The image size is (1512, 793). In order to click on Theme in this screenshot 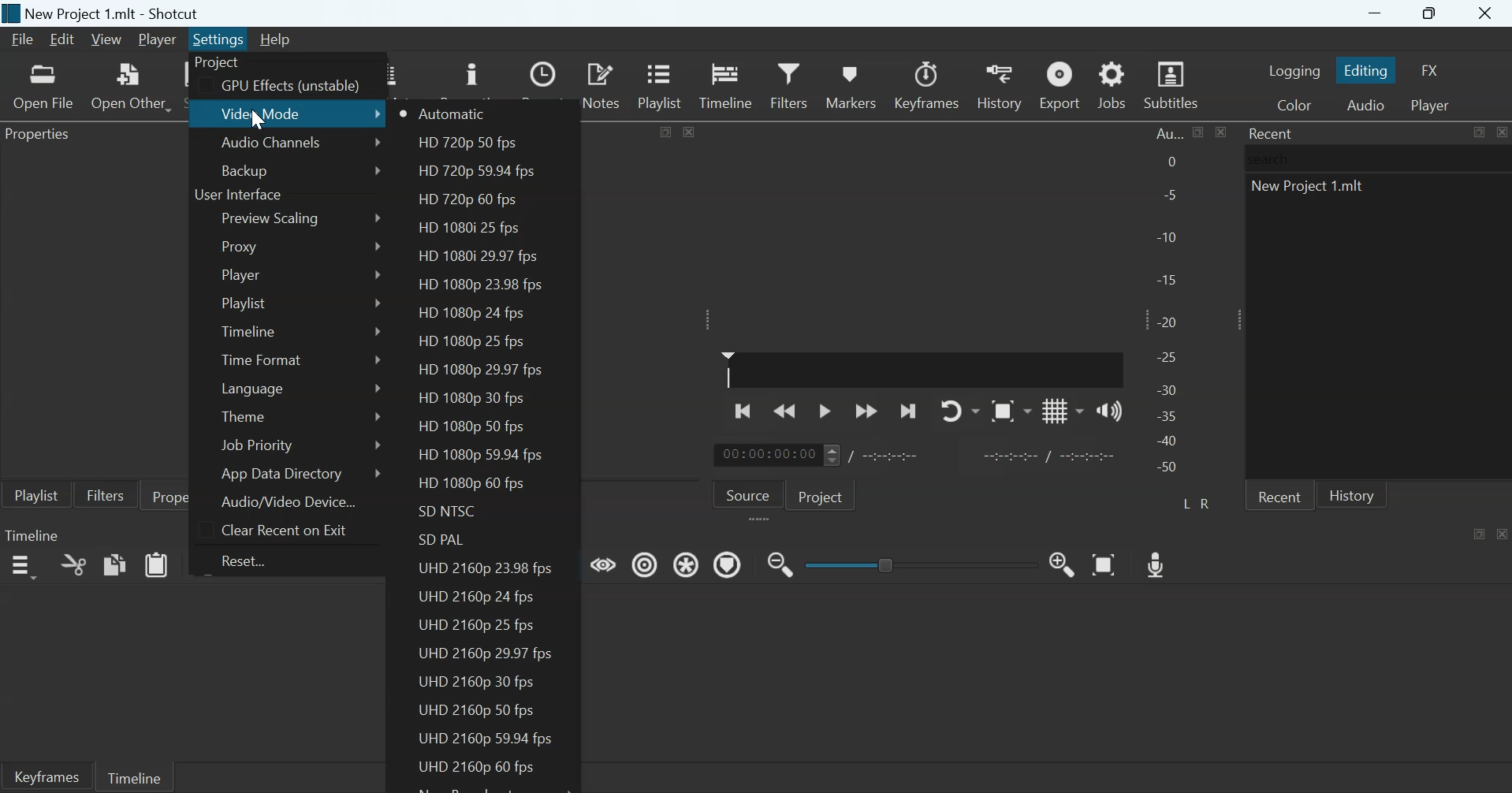, I will do `click(246, 415)`.